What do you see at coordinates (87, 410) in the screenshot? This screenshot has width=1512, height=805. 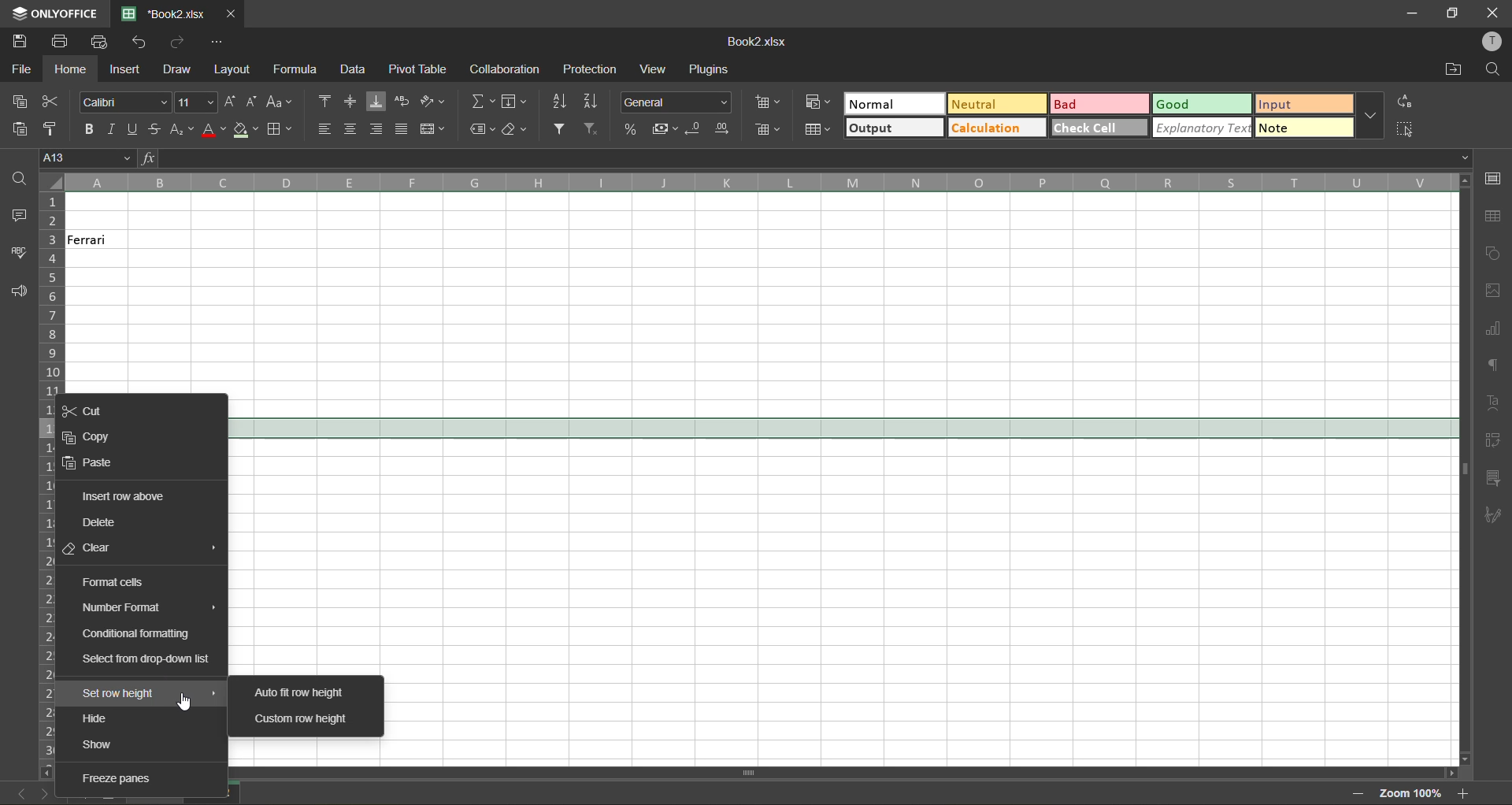 I see `cut` at bounding box center [87, 410].